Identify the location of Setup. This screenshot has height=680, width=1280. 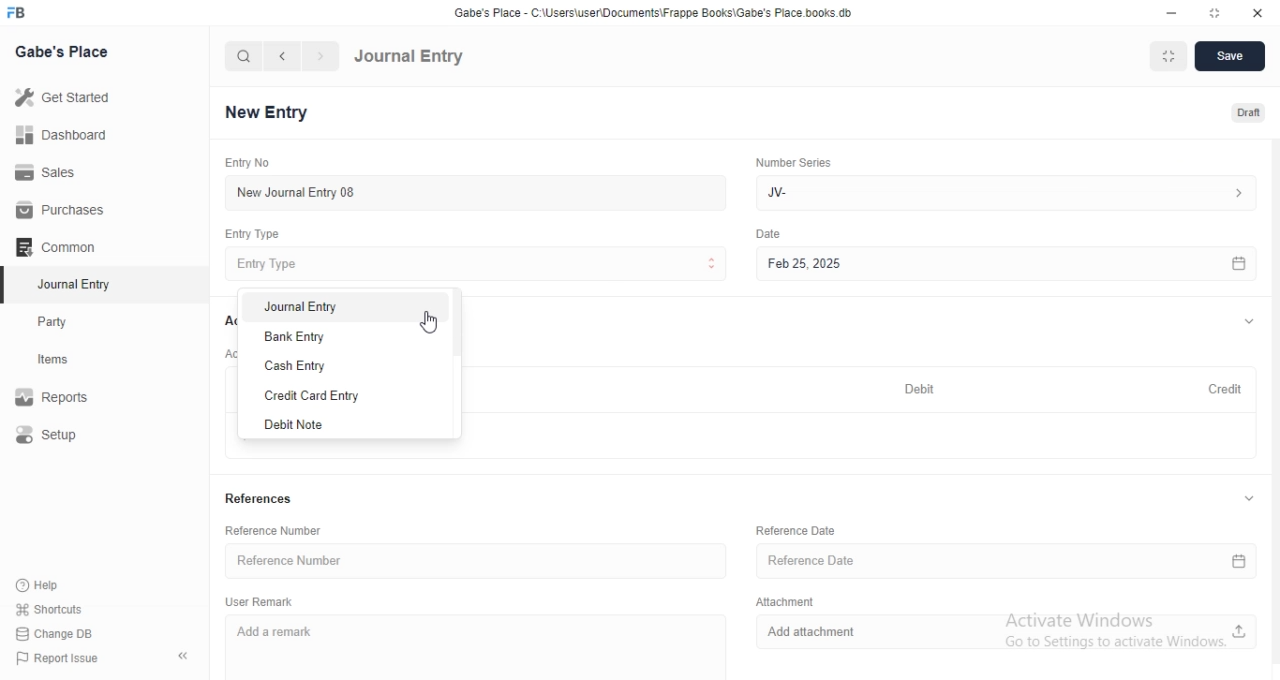
(68, 436).